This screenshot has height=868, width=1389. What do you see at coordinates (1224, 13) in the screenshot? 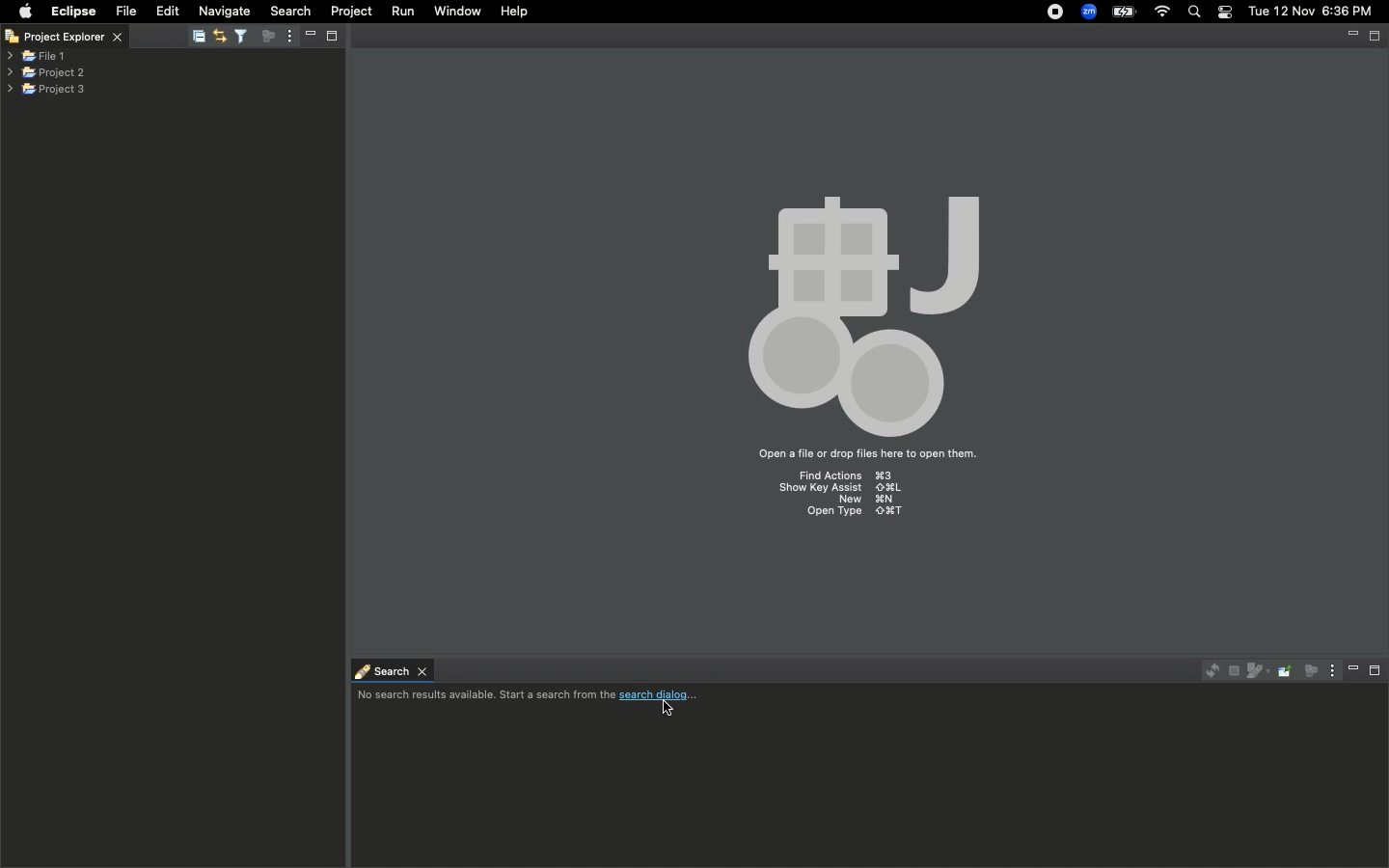
I see `Notification` at bounding box center [1224, 13].